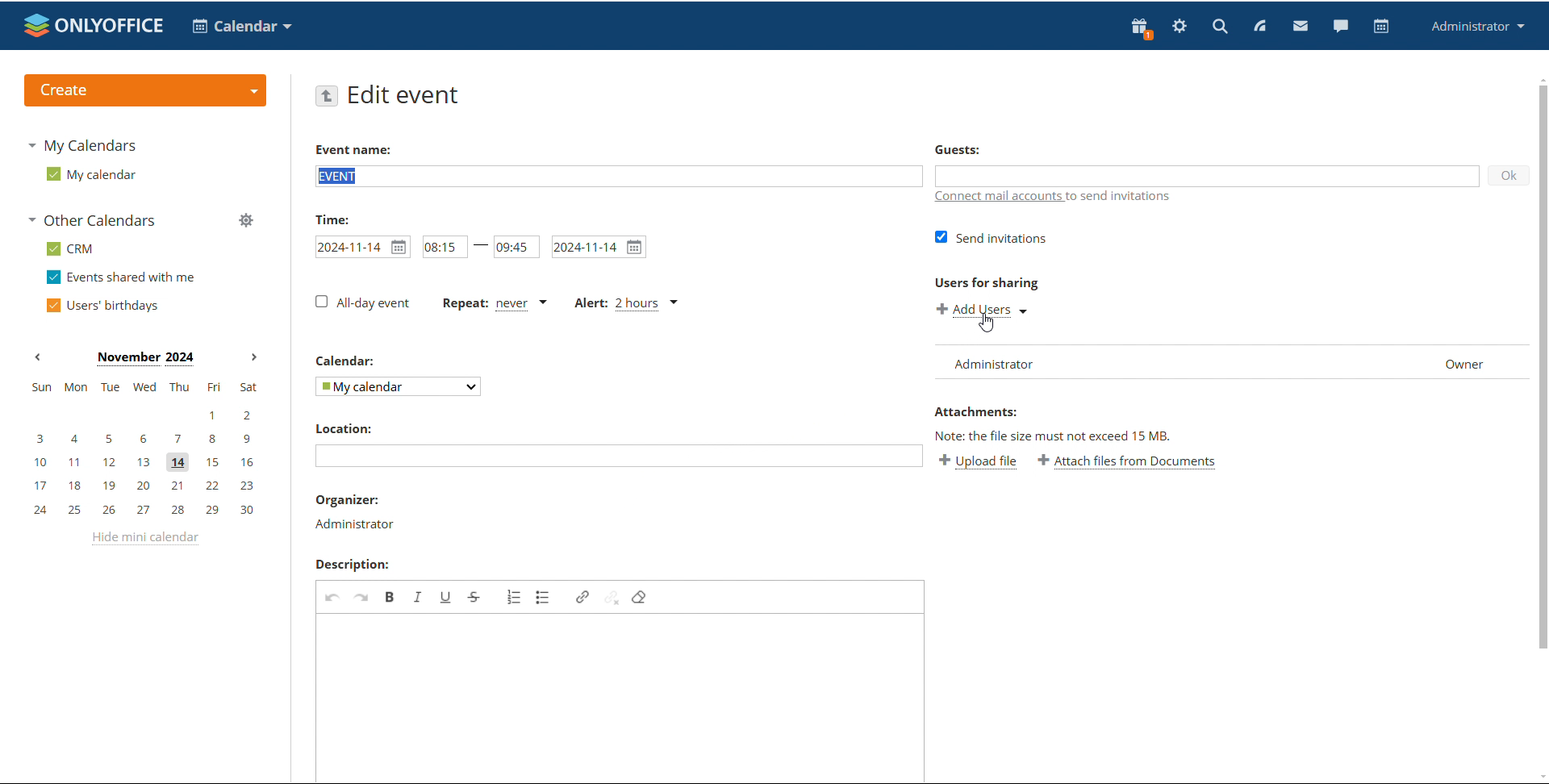  Describe the element at coordinates (408, 96) in the screenshot. I see `edit event` at that location.